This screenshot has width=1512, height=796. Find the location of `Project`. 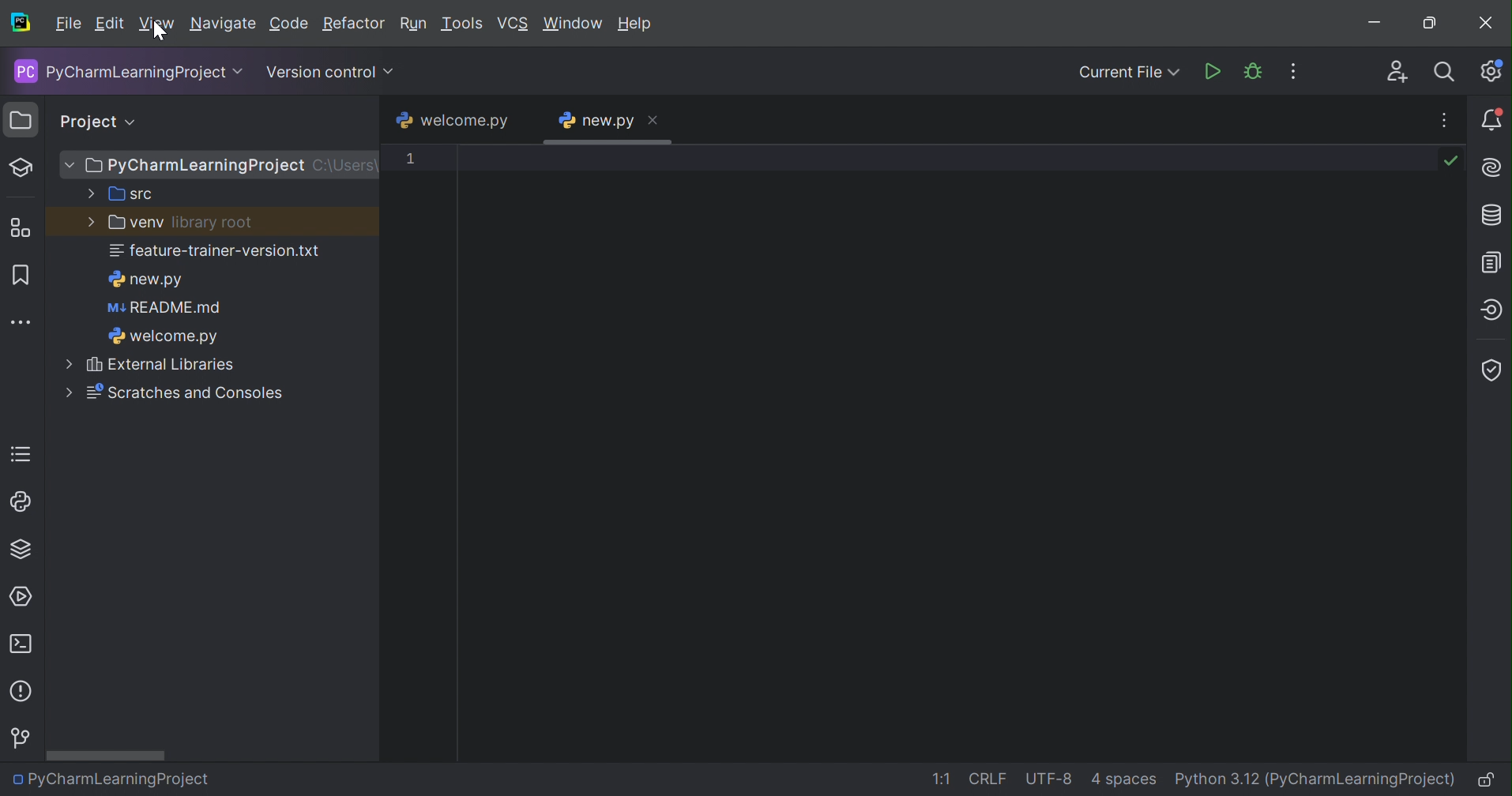

Project is located at coordinates (88, 119).